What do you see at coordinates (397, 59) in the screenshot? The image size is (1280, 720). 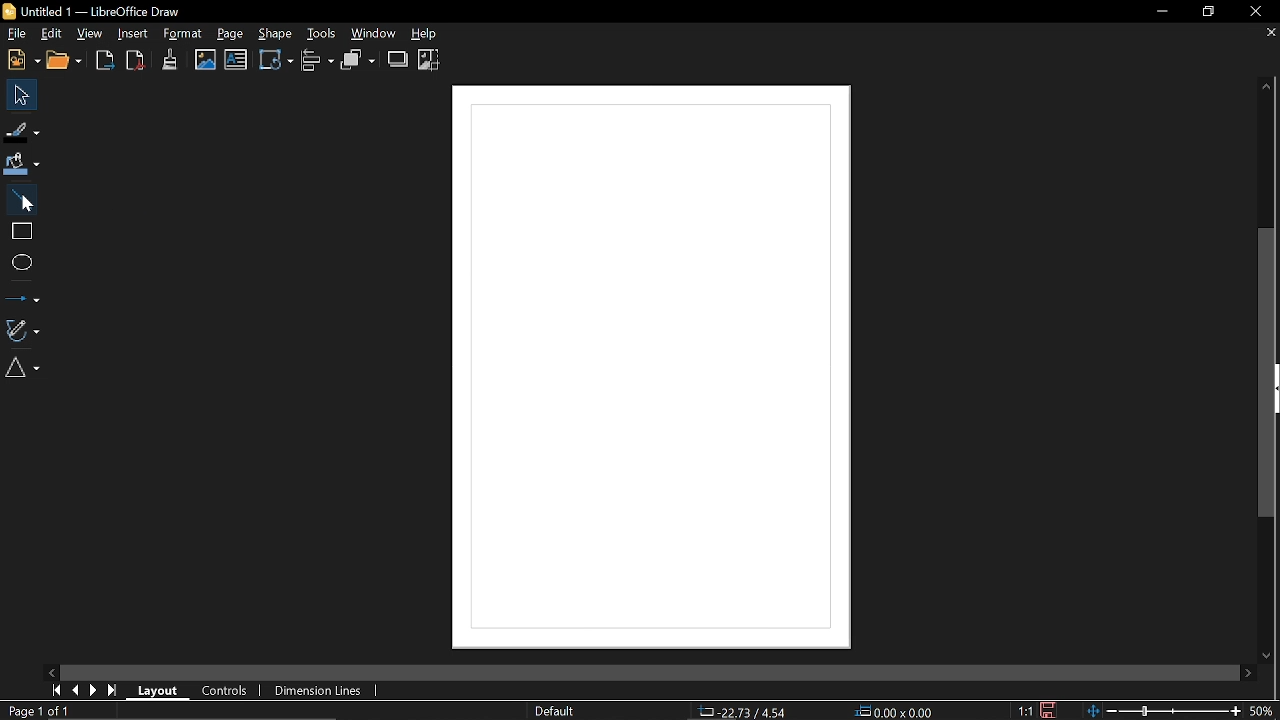 I see `Shadow` at bounding box center [397, 59].